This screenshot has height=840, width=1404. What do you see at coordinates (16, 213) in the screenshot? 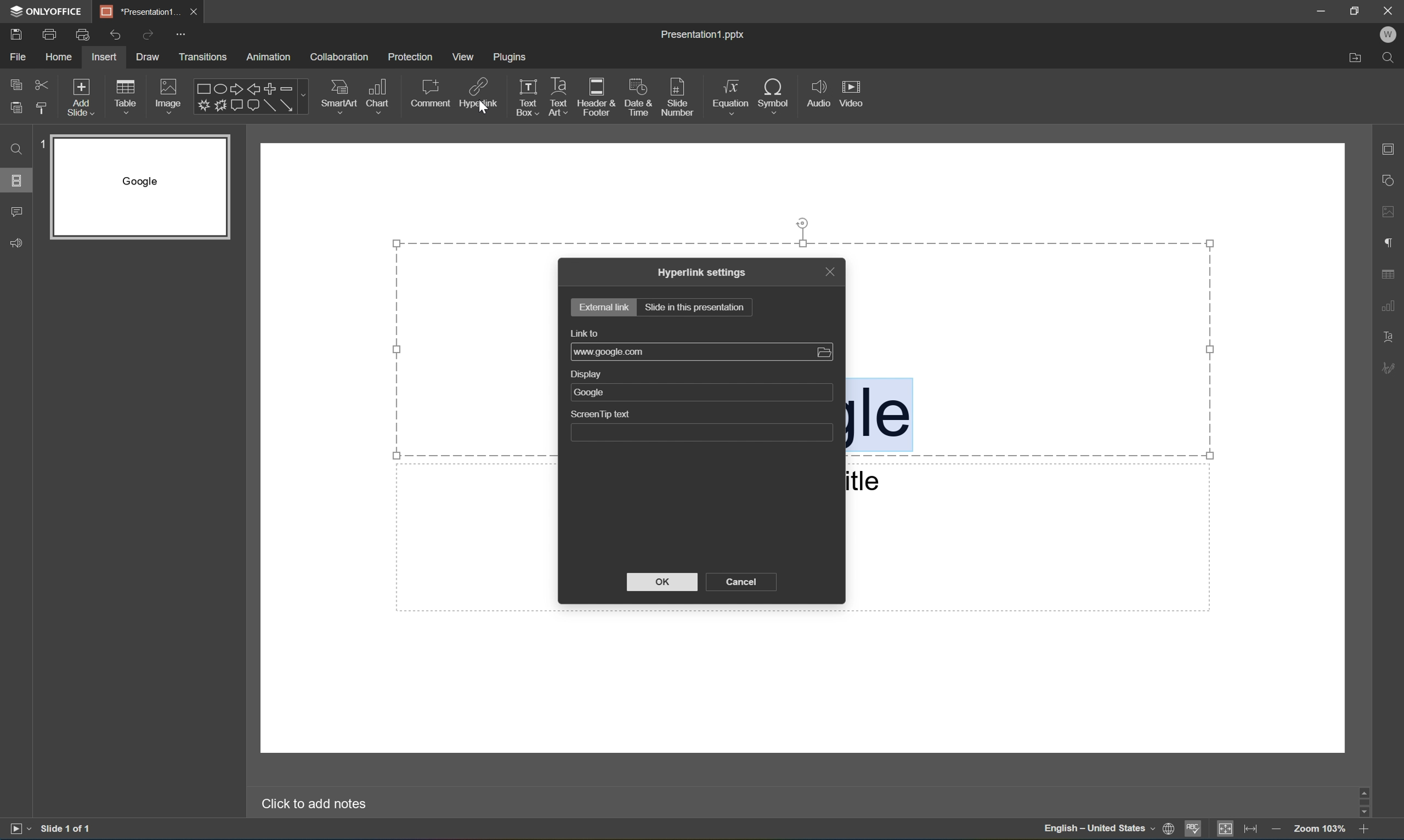
I see `Comments` at bounding box center [16, 213].